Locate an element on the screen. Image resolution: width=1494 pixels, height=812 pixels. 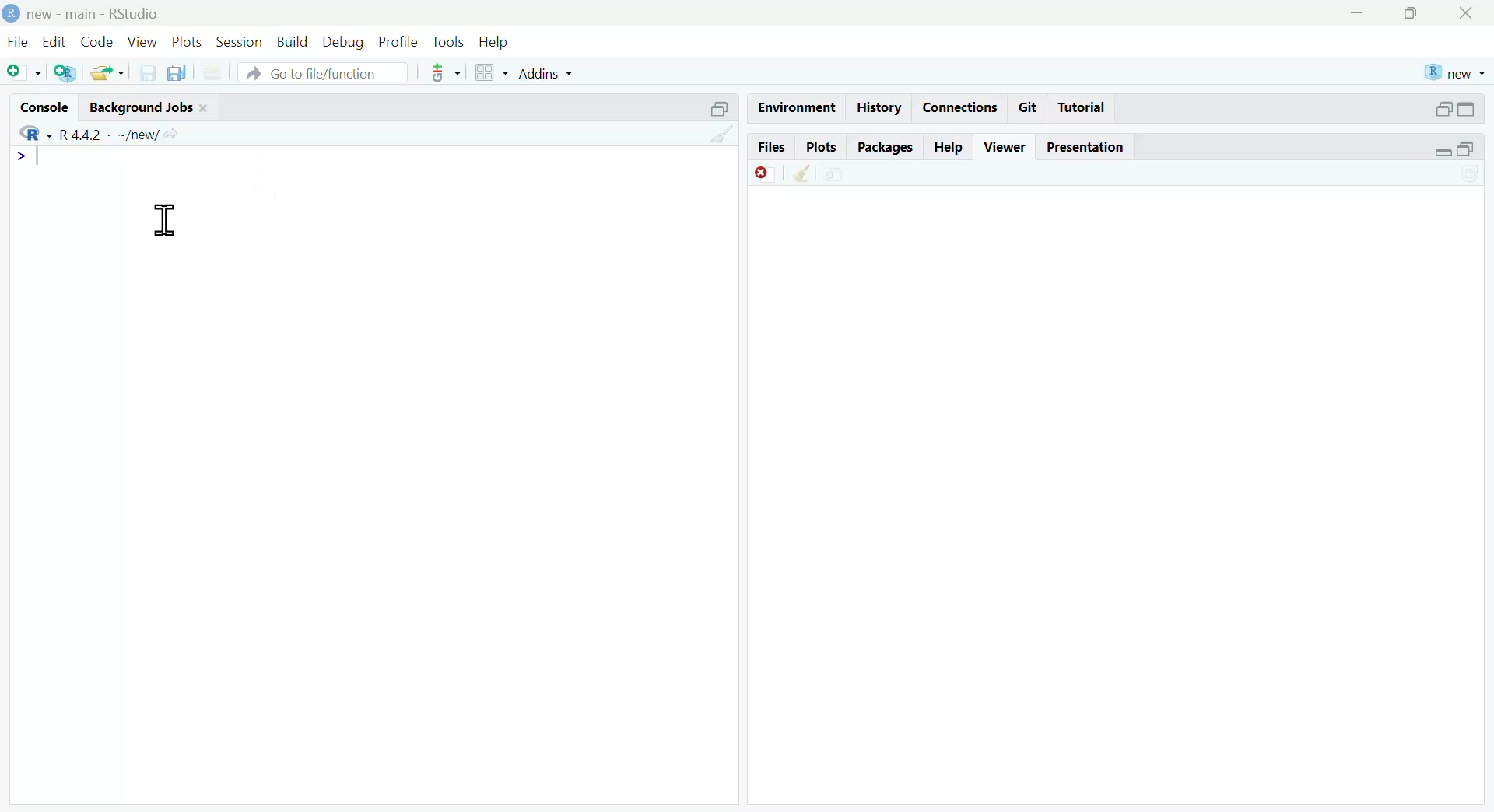
Create new Project is located at coordinates (65, 74).